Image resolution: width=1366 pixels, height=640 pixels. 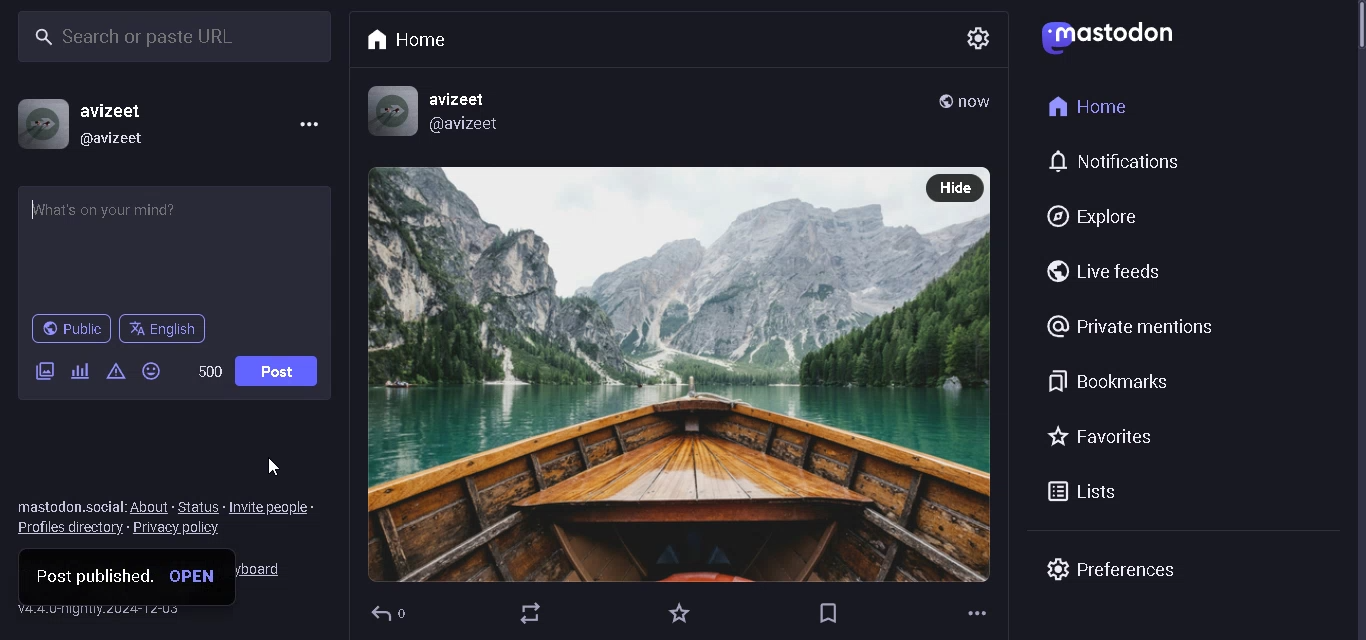 I want to click on live feeds, so click(x=1099, y=267).